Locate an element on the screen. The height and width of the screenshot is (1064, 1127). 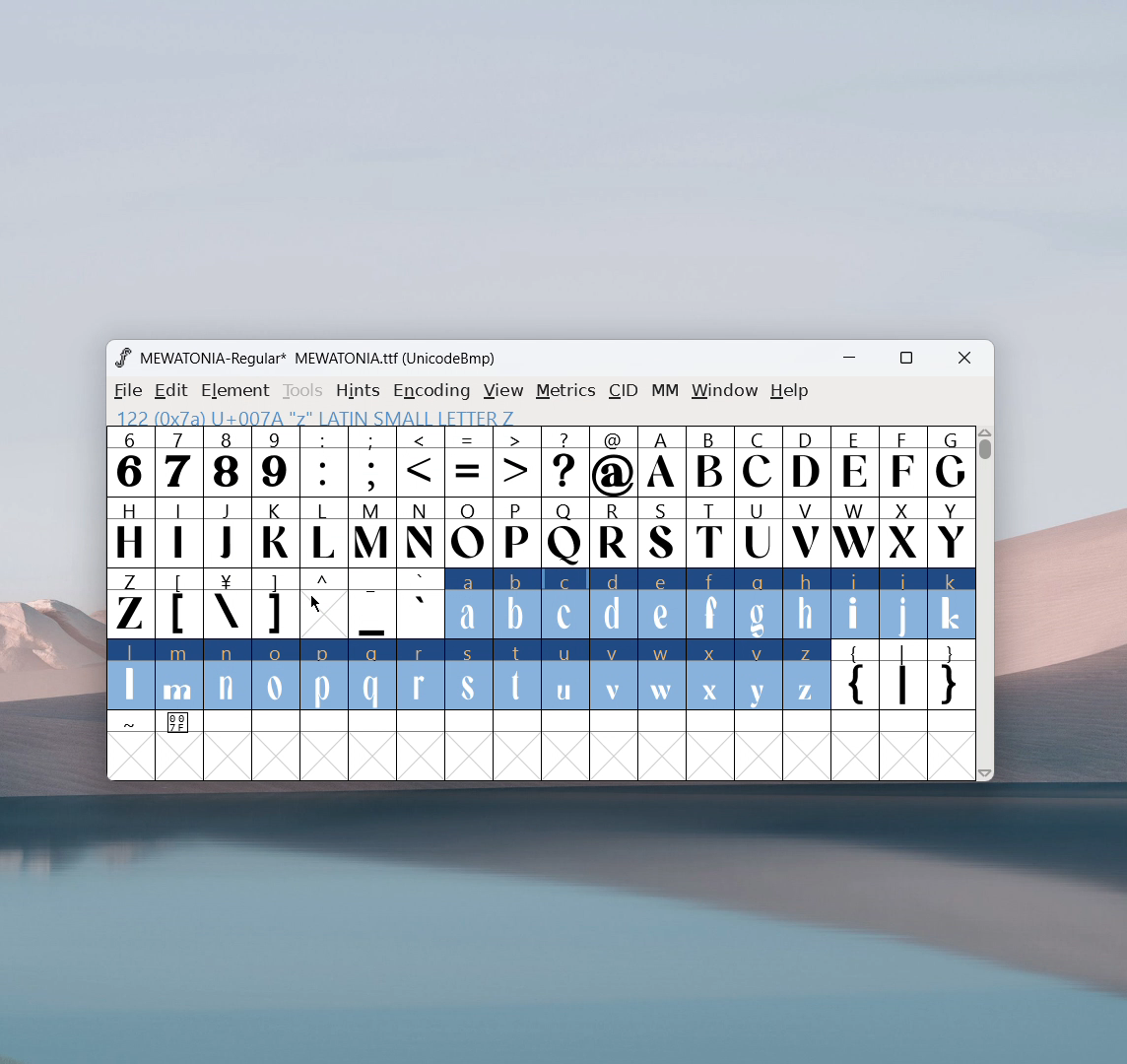
b is located at coordinates (517, 605).